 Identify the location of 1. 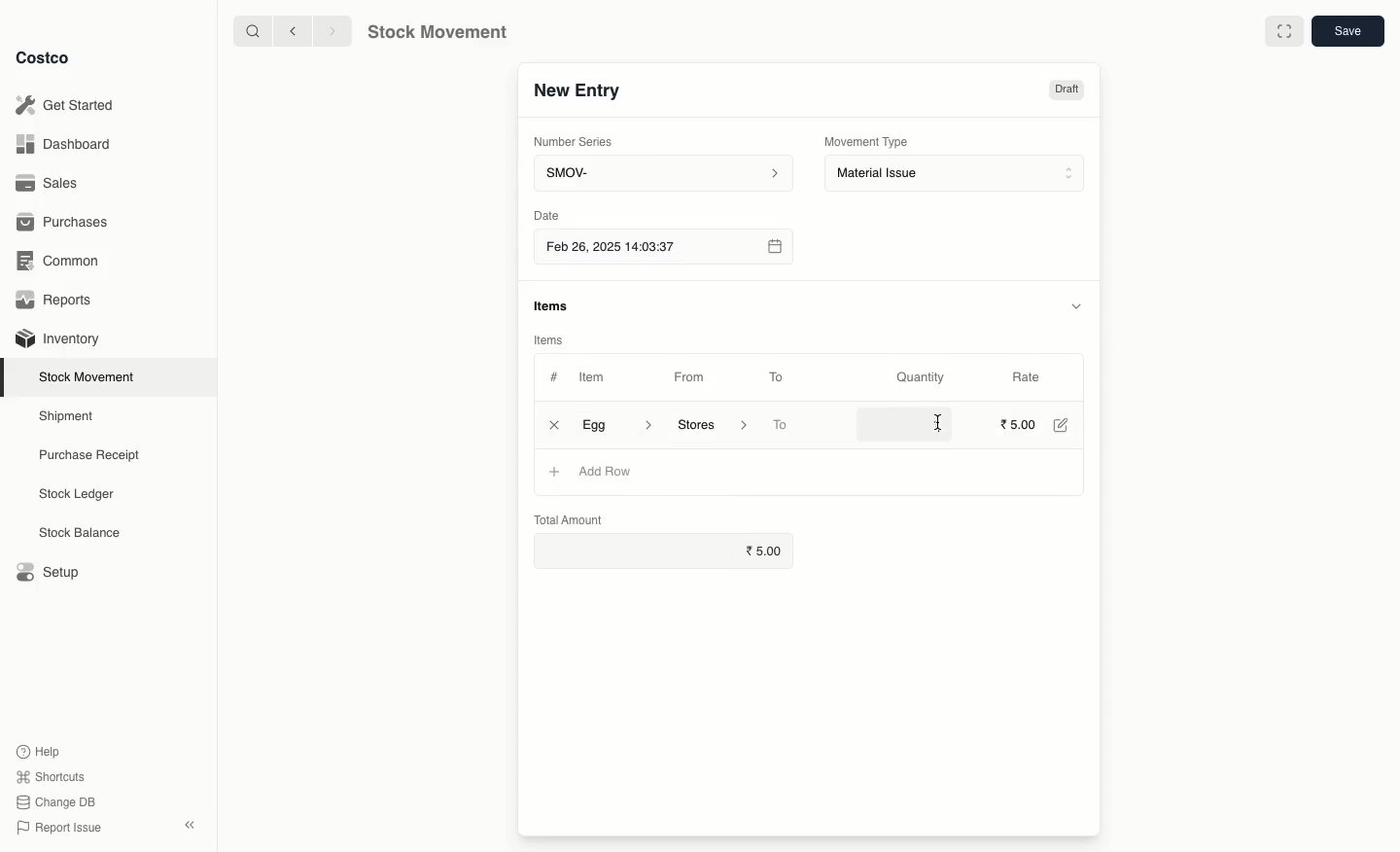
(908, 424).